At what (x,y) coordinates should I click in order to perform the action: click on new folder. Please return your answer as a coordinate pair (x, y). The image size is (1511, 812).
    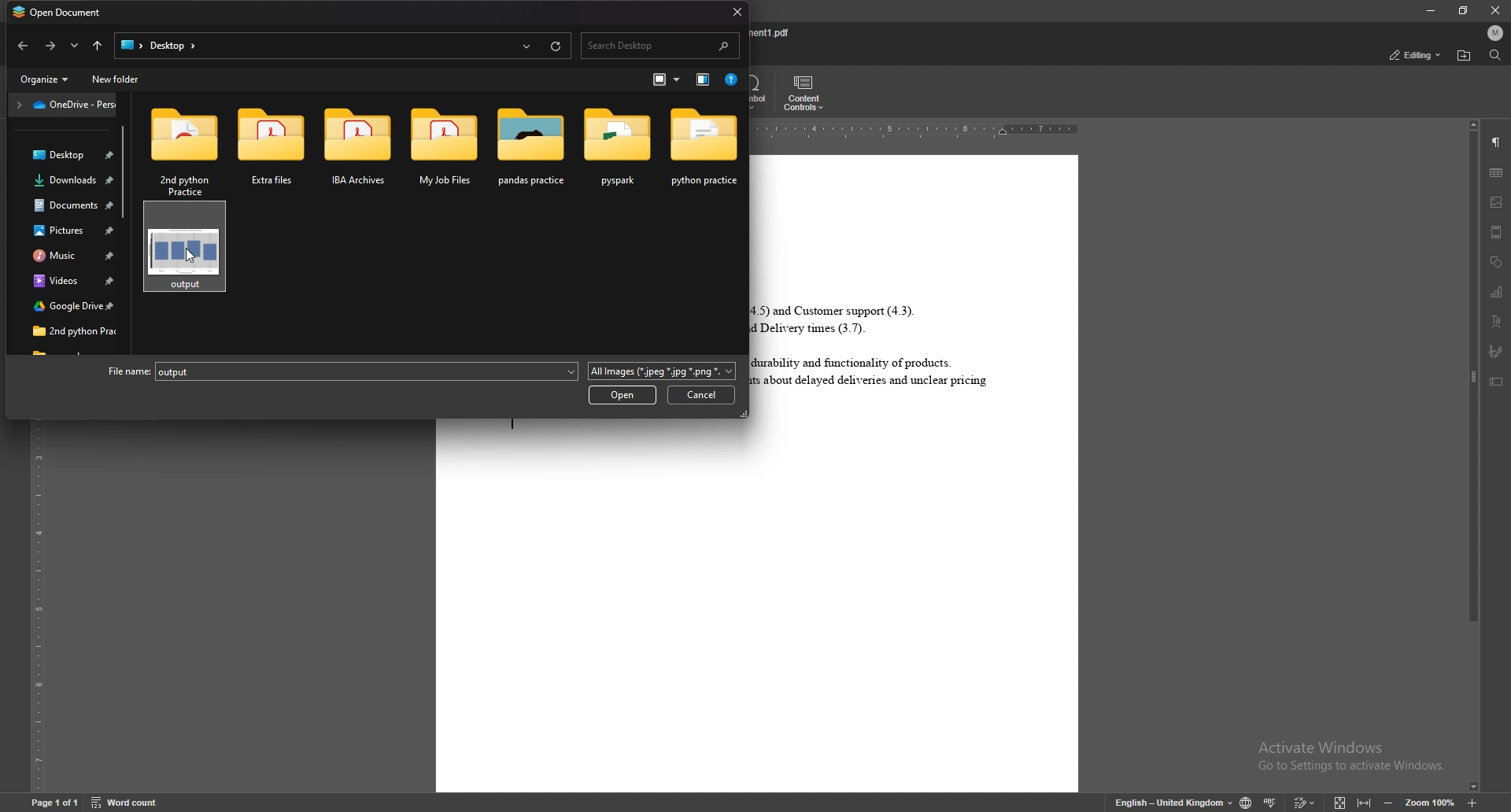
    Looking at the image, I should click on (115, 79).